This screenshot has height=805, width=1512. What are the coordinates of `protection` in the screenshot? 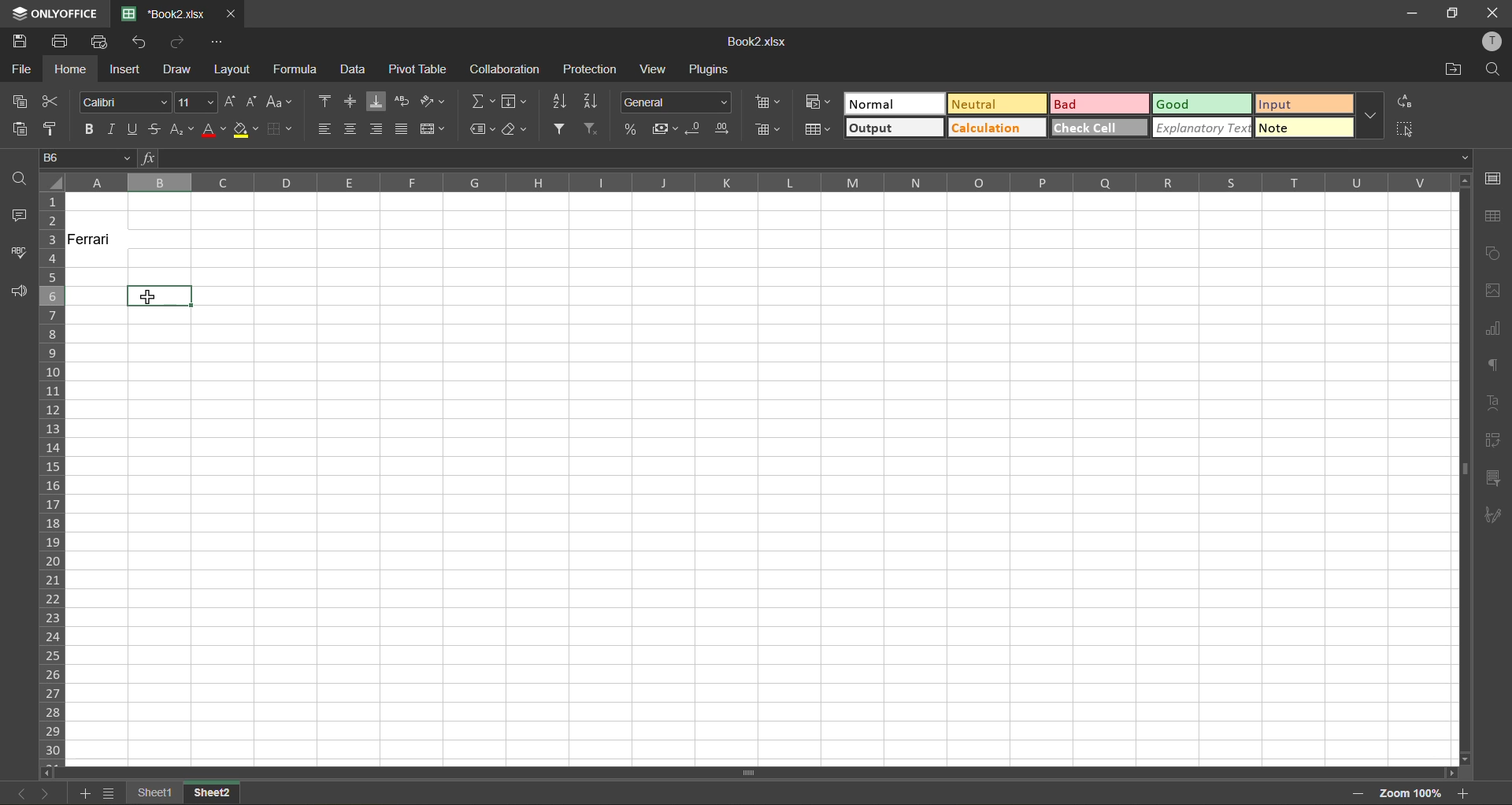 It's located at (588, 69).